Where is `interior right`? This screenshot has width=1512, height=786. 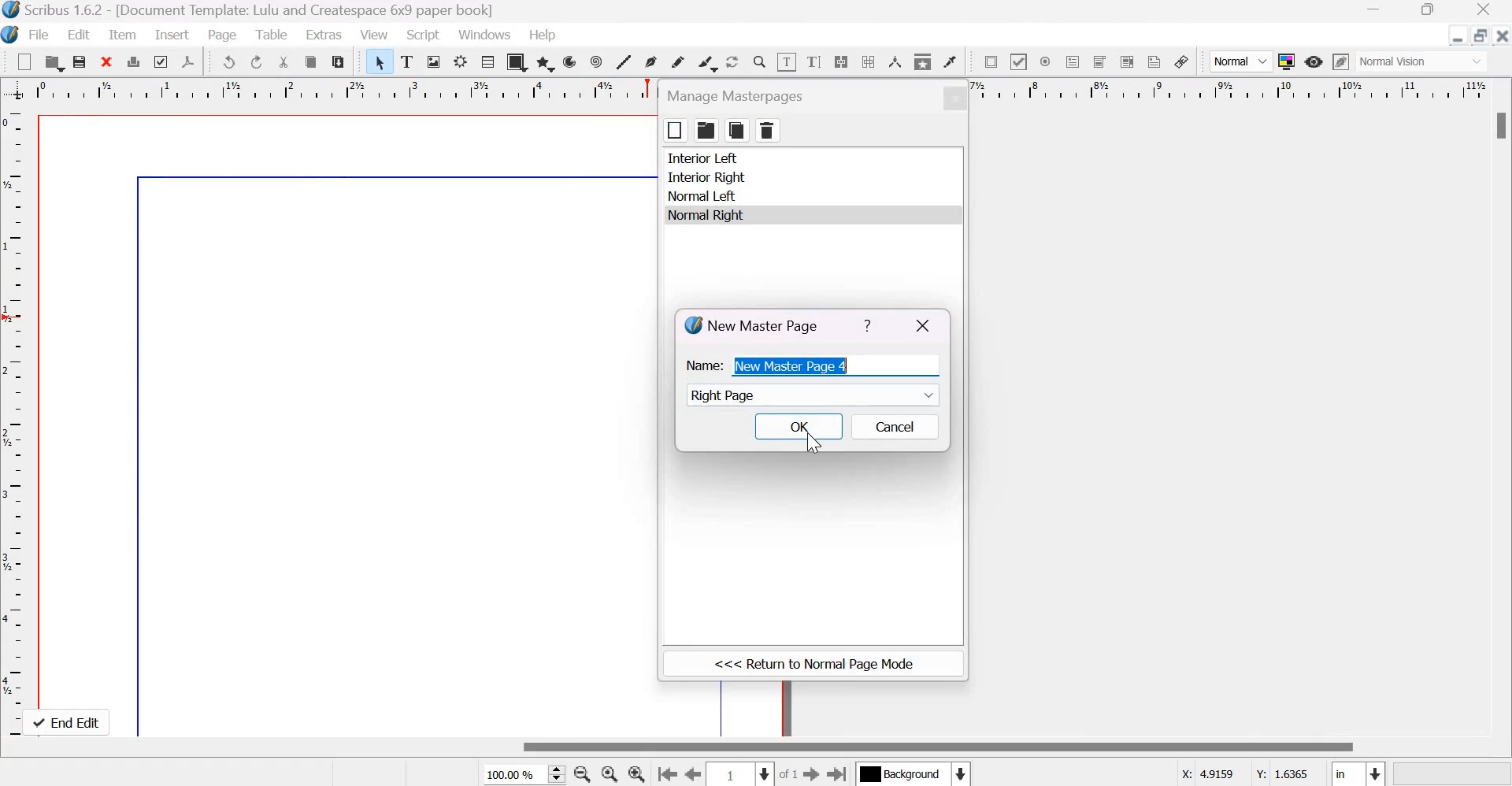 interior right is located at coordinates (707, 177).